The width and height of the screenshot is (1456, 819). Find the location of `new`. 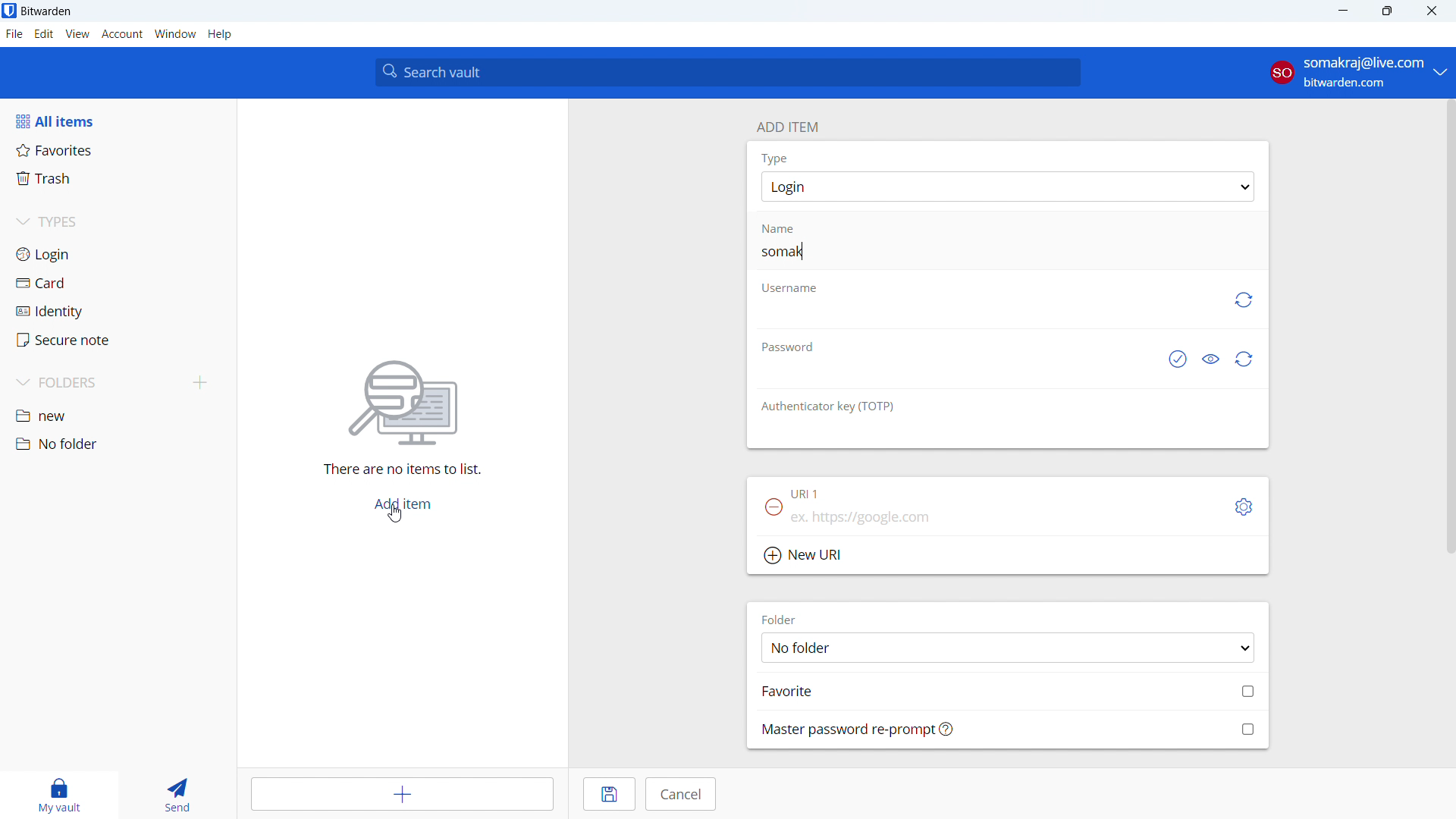

new is located at coordinates (118, 417).